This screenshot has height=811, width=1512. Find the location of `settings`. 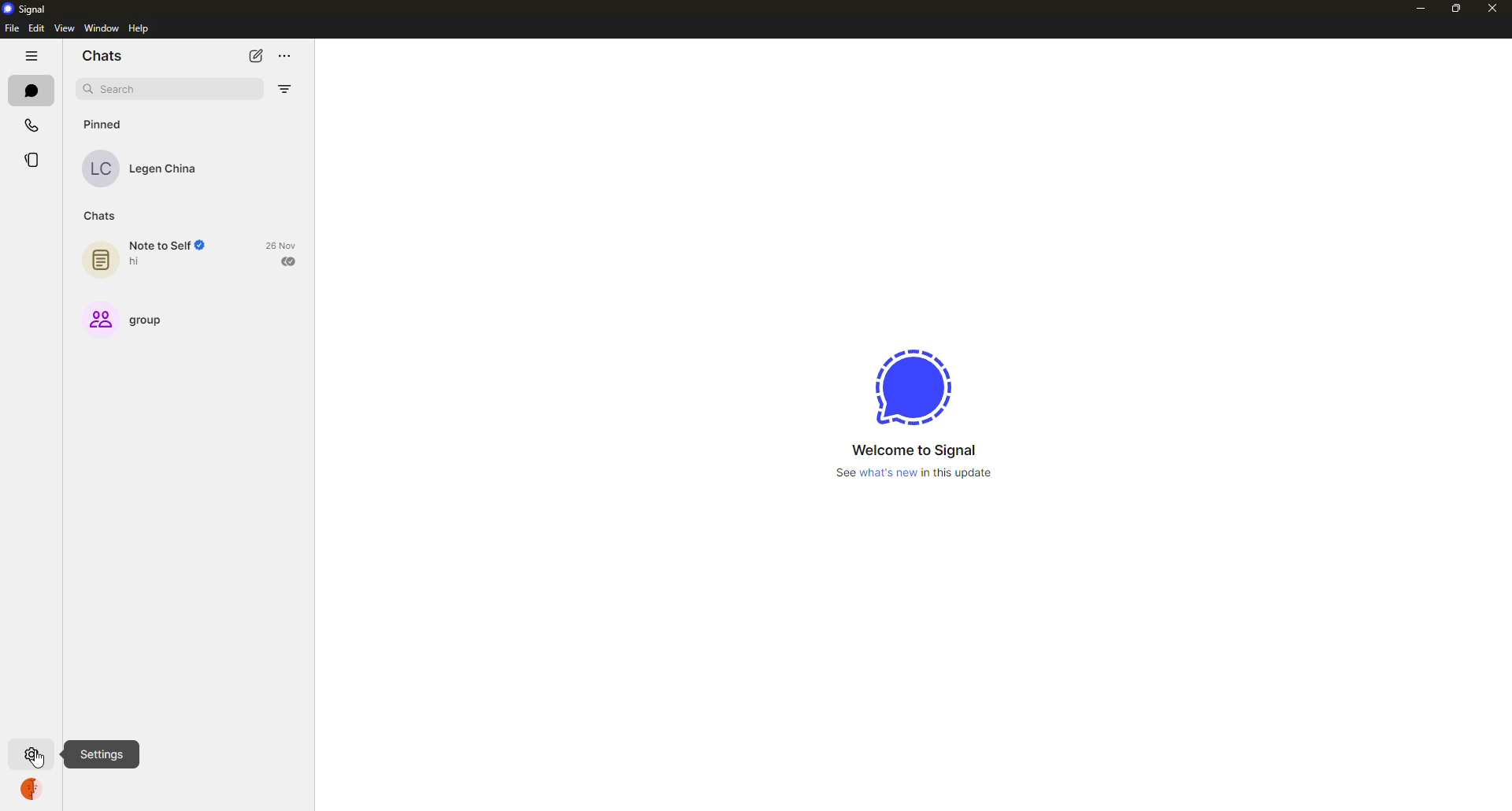

settings is located at coordinates (102, 753).